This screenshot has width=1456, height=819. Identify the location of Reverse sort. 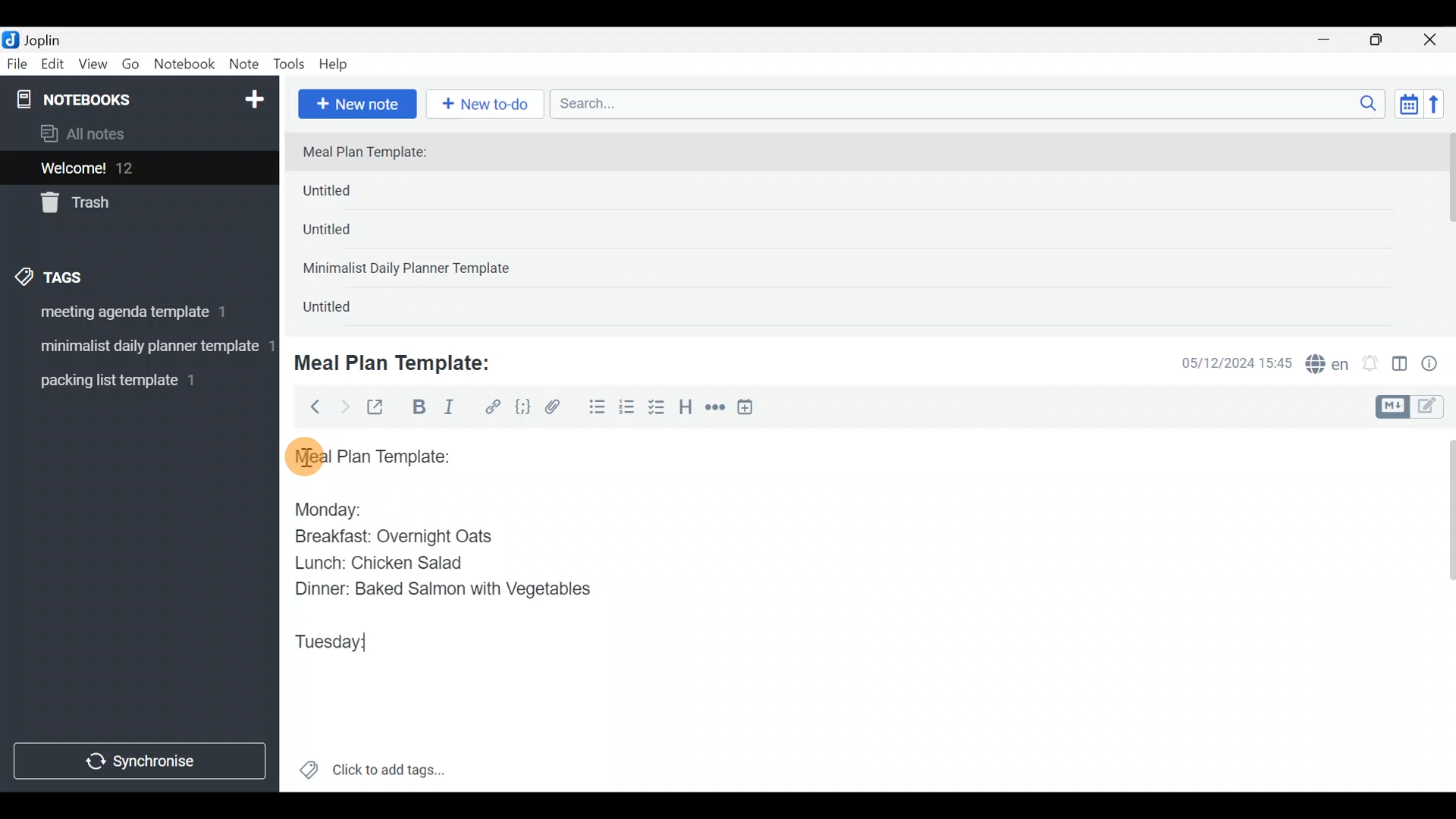
(1442, 108).